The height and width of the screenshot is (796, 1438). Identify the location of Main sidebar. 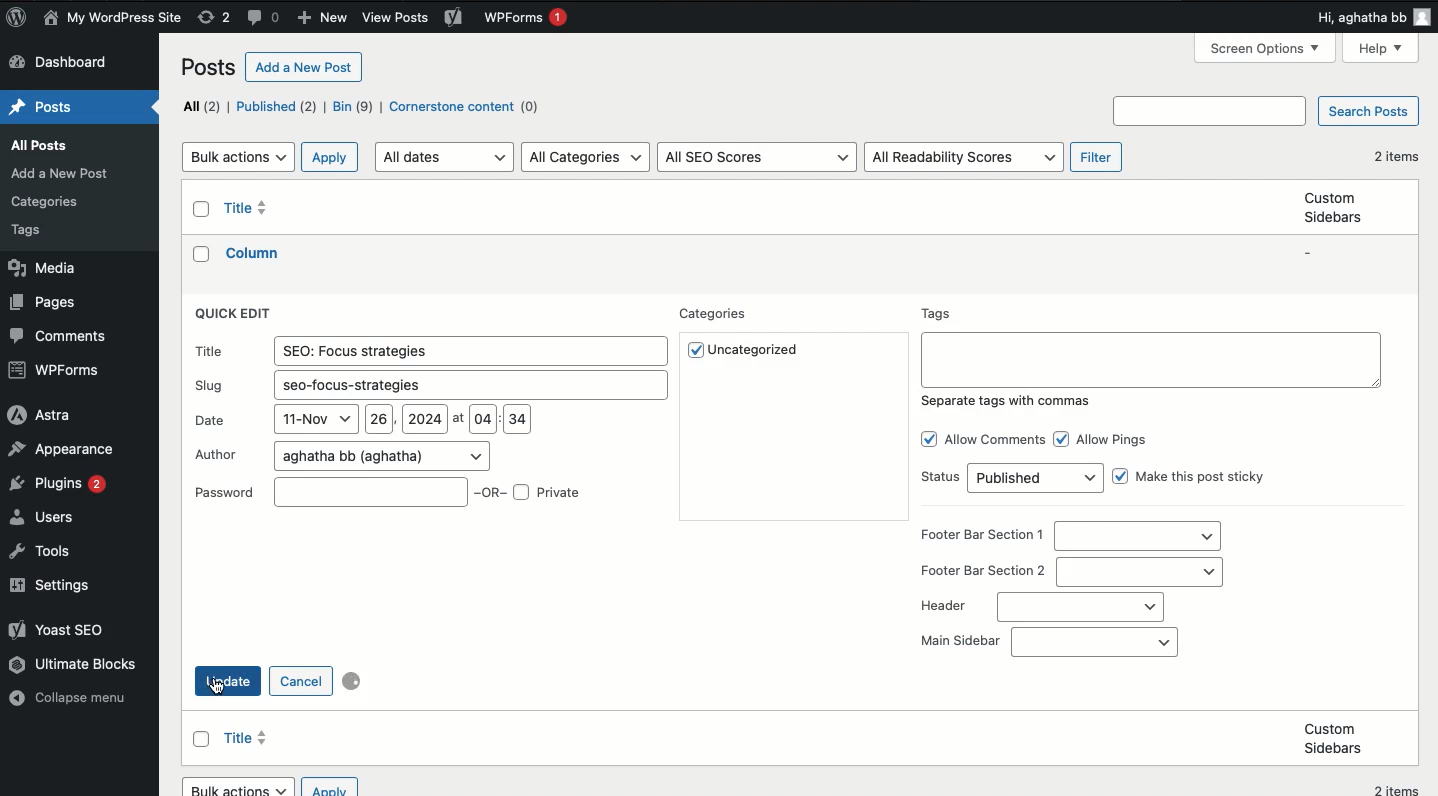
(962, 642).